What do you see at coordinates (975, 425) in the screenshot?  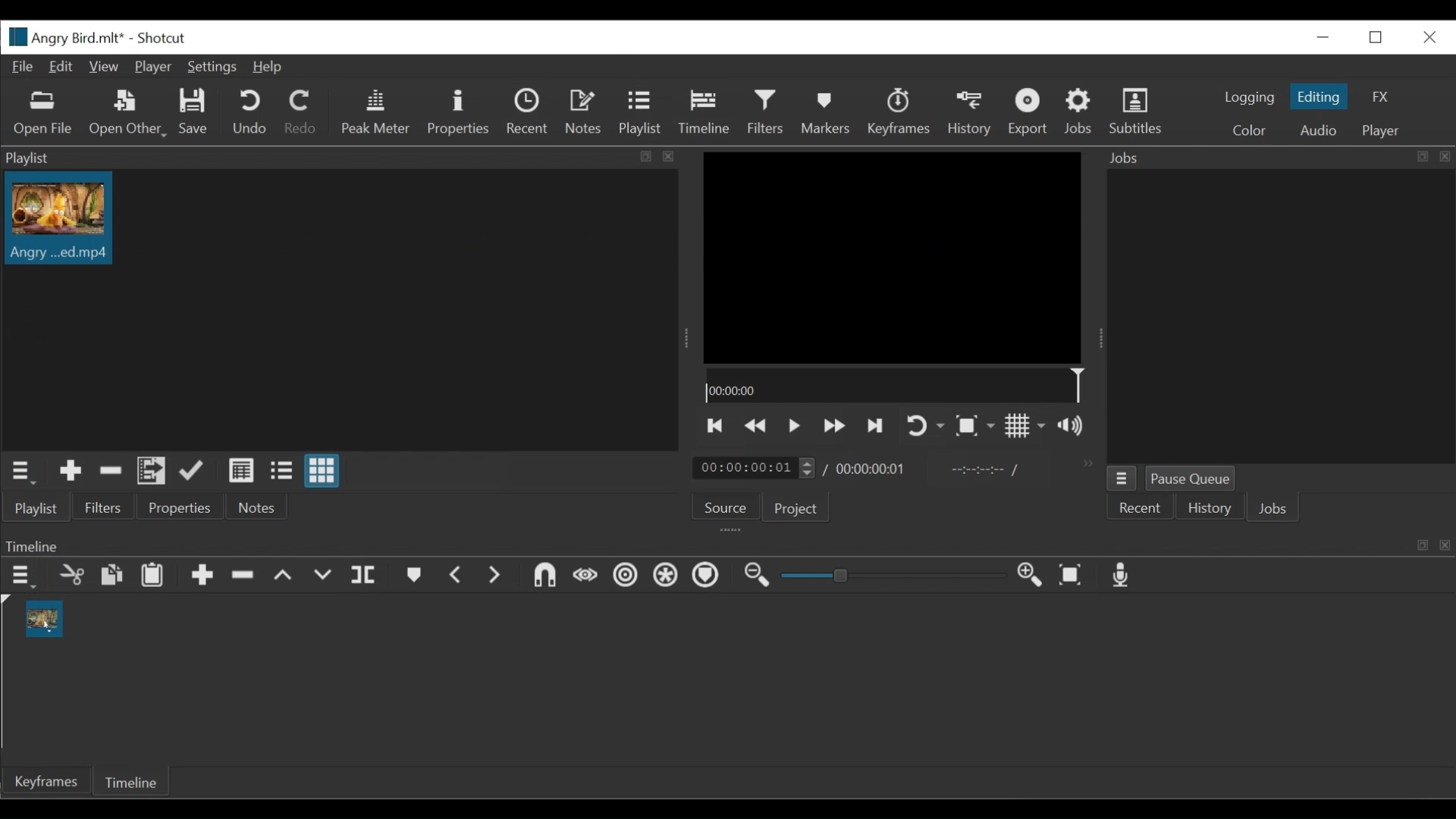 I see `Toggle zoom` at bounding box center [975, 425].